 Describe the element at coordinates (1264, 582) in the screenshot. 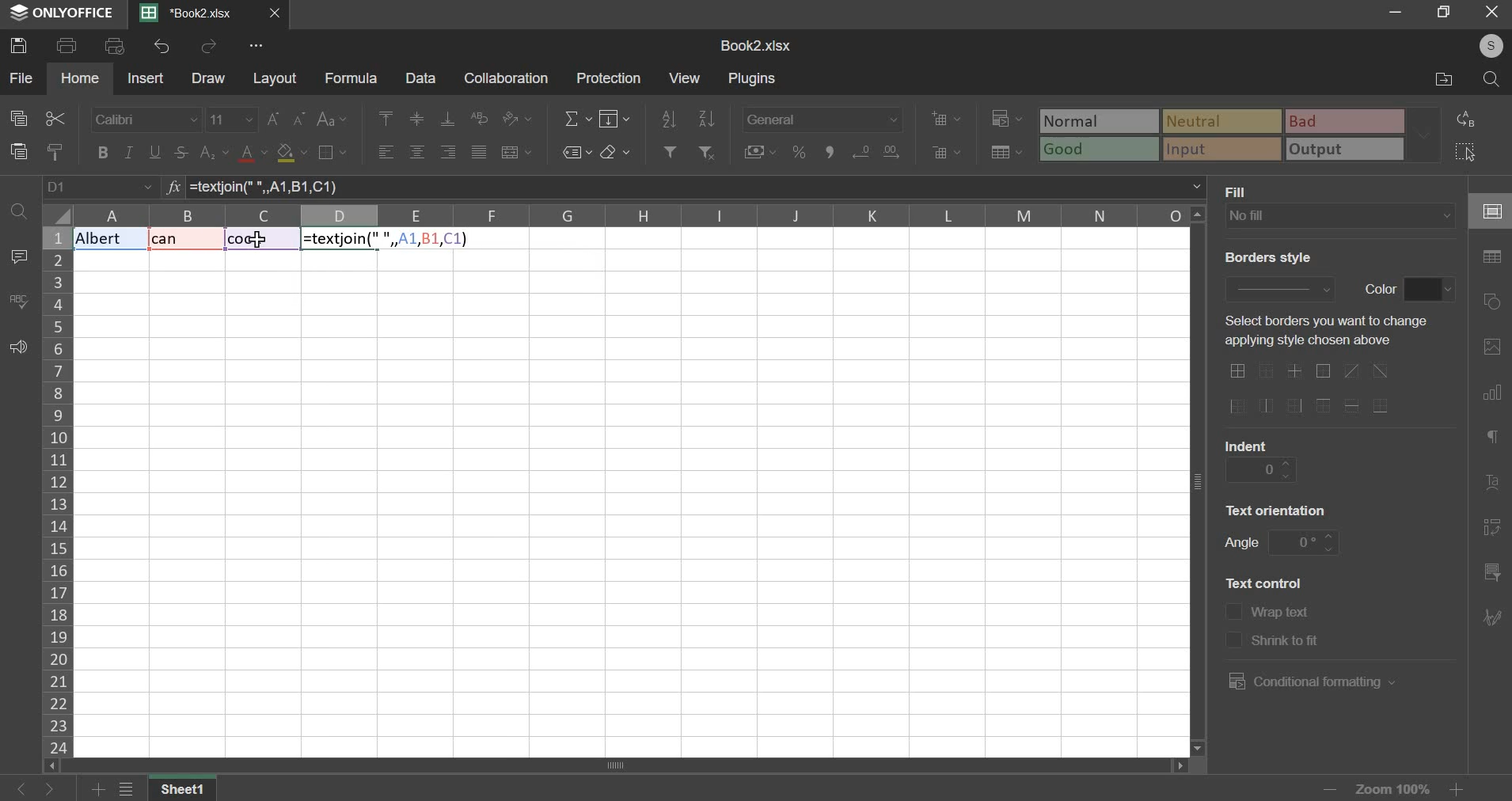

I see `text` at that location.